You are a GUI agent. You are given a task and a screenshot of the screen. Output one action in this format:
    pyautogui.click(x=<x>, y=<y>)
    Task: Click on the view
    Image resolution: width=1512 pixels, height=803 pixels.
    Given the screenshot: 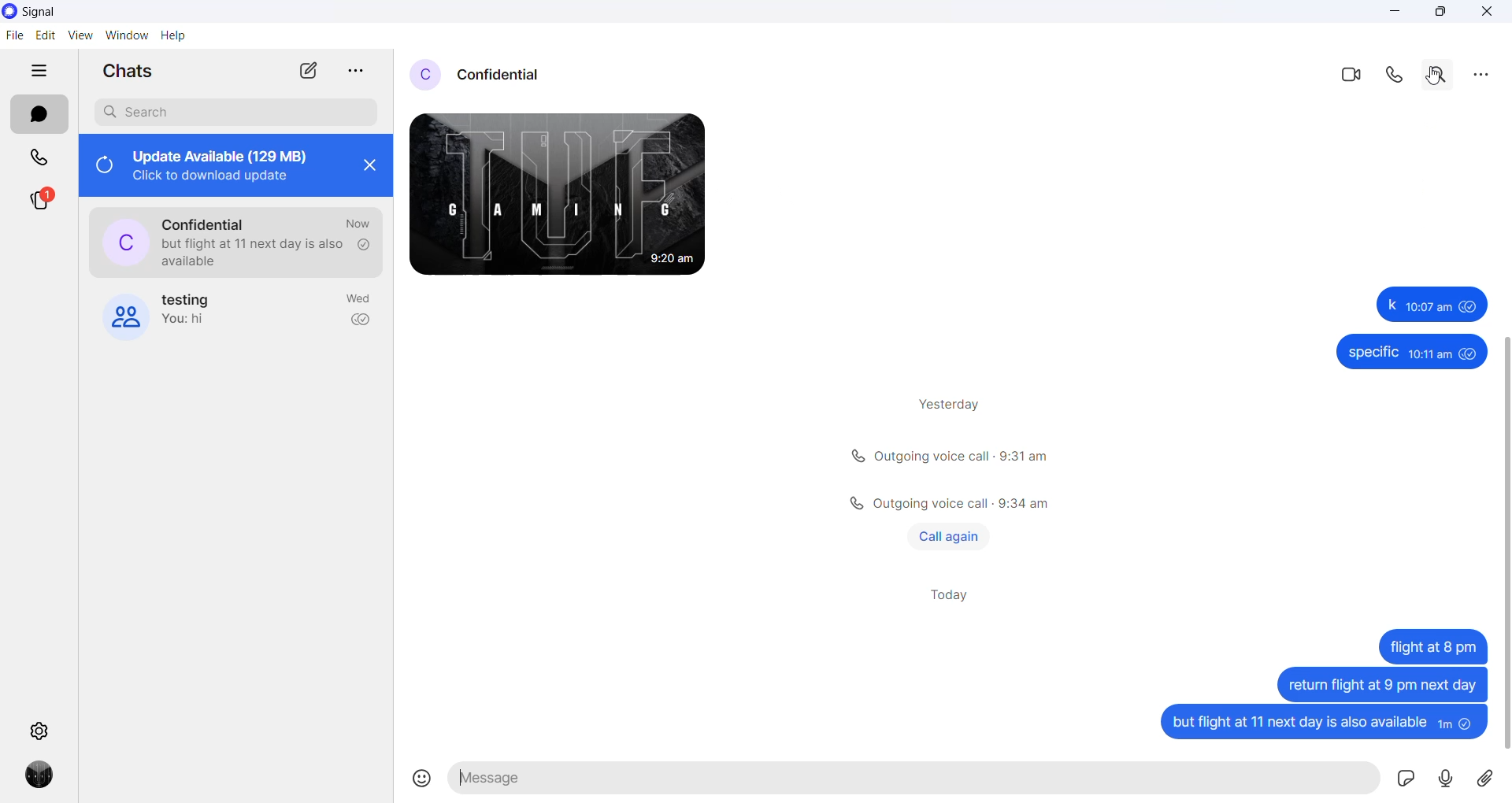 What is the action you would take?
    pyautogui.click(x=80, y=35)
    